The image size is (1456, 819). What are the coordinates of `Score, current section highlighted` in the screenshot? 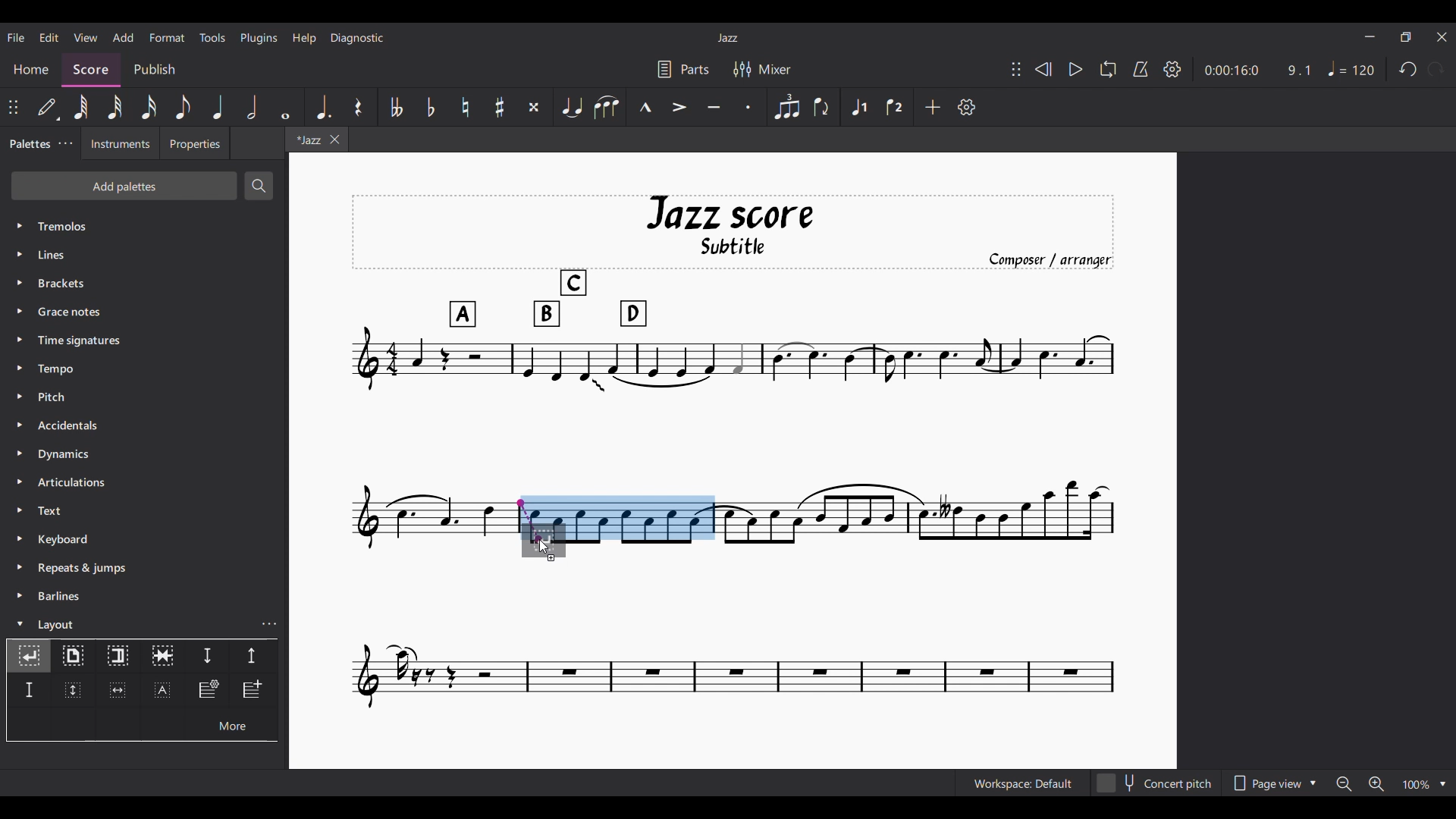 It's located at (91, 70).